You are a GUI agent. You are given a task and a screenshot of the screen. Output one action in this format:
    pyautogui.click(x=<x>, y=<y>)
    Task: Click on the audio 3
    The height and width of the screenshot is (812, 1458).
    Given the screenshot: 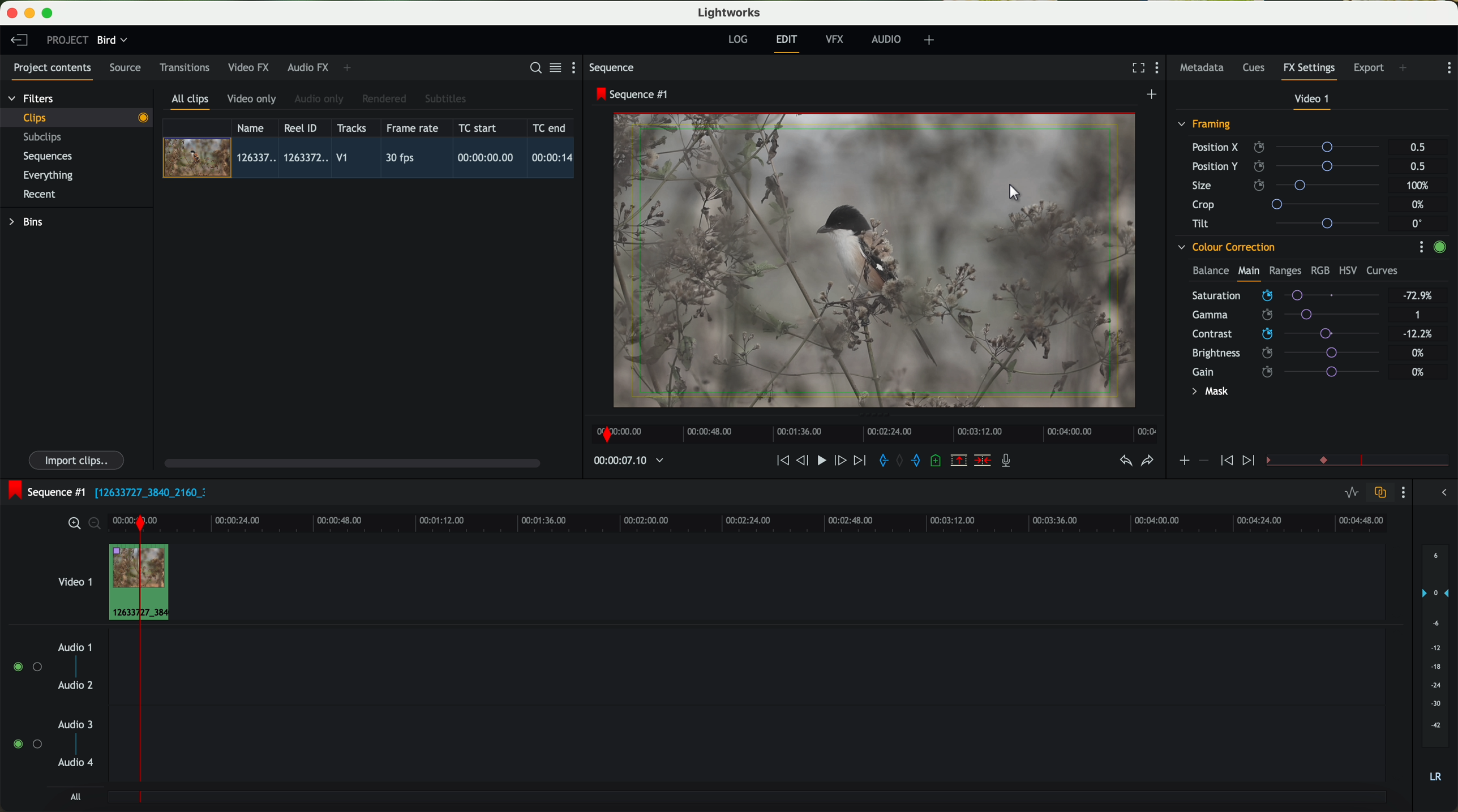 What is the action you would take?
    pyautogui.click(x=70, y=724)
    